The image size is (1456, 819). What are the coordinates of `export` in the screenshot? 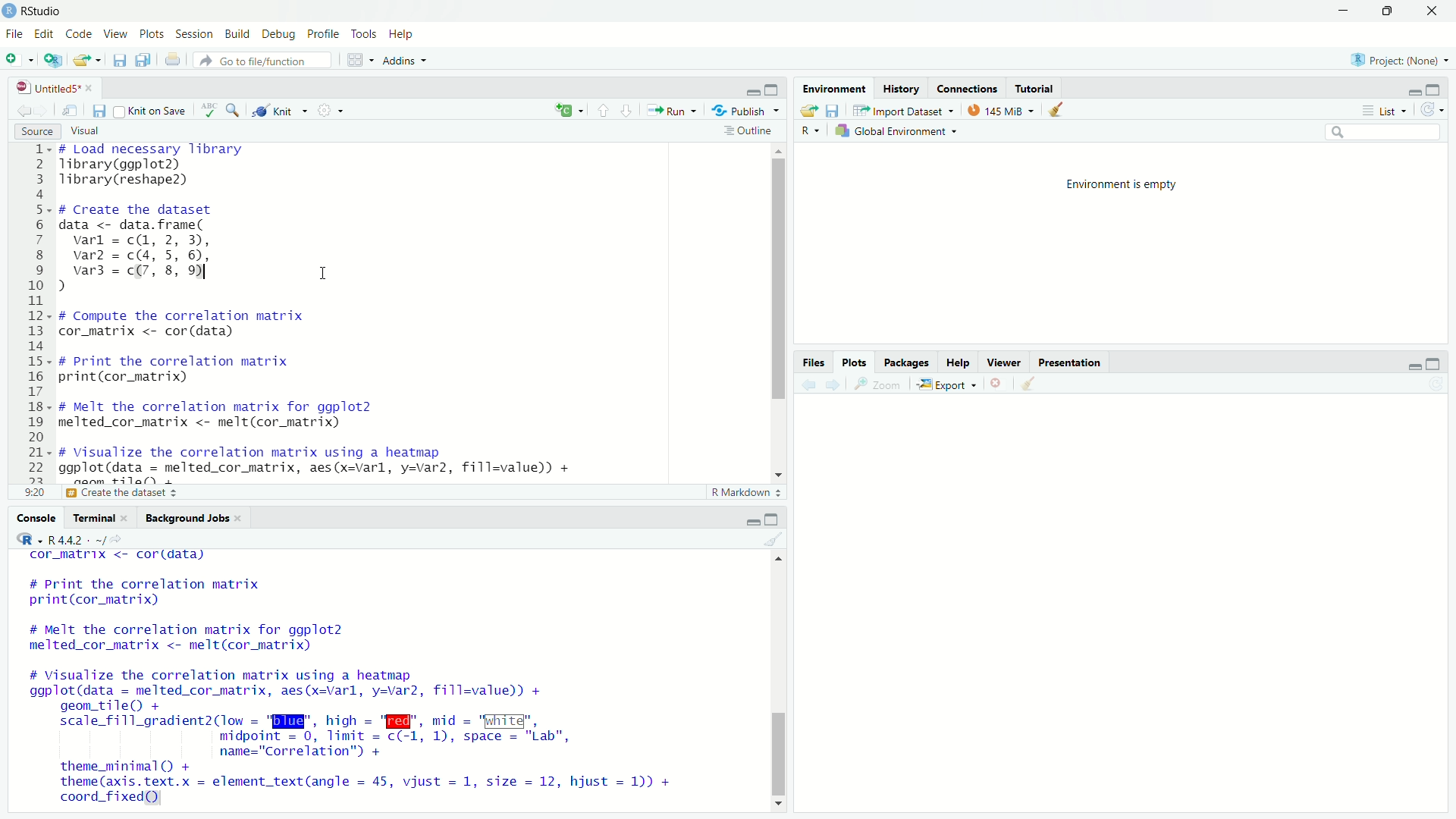 It's located at (948, 384).